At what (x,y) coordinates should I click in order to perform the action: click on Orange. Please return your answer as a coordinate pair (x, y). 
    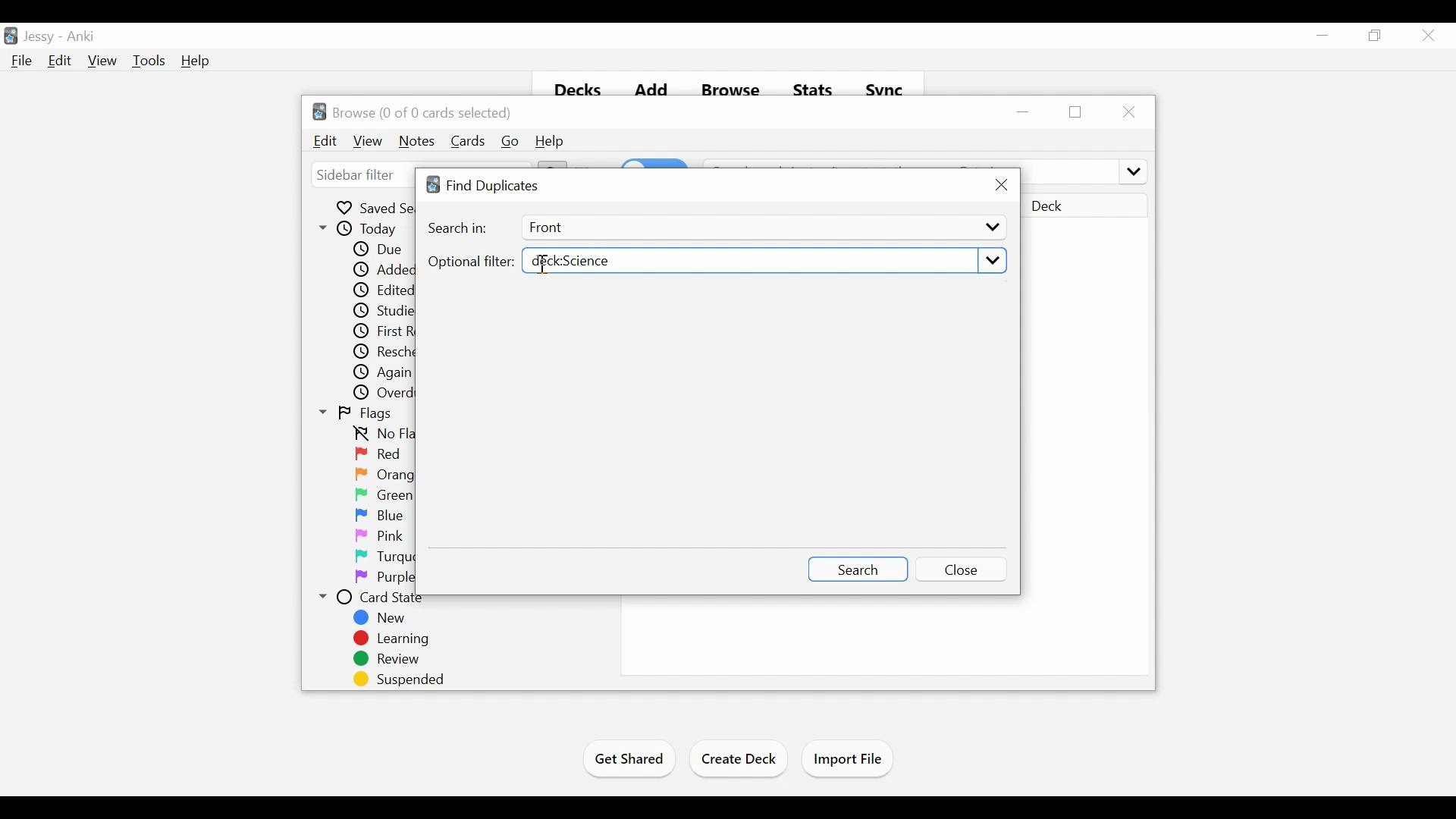
    Looking at the image, I should click on (385, 474).